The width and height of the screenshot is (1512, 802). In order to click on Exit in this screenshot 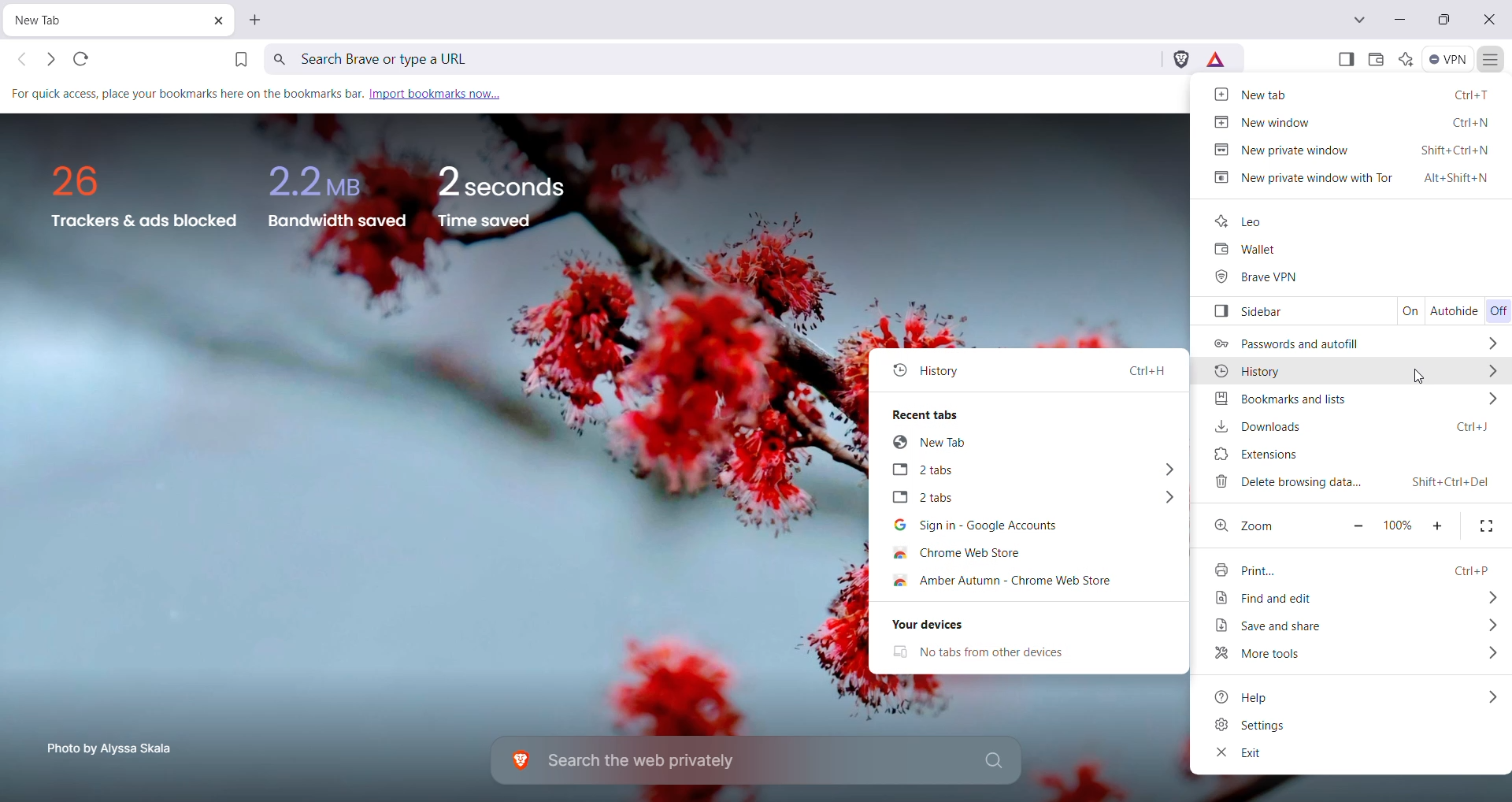, I will do `click(1237, 755)`.